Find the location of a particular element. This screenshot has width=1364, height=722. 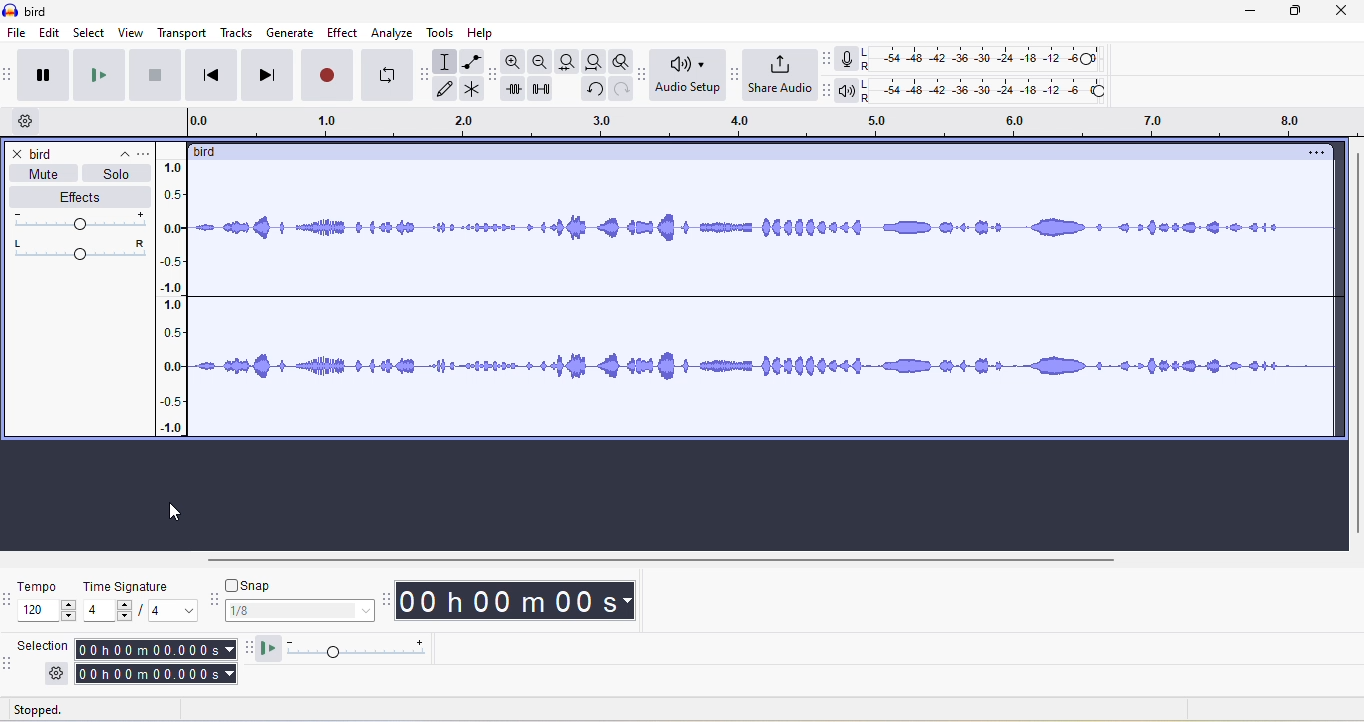

tracks is located at coordinates (240, 34).